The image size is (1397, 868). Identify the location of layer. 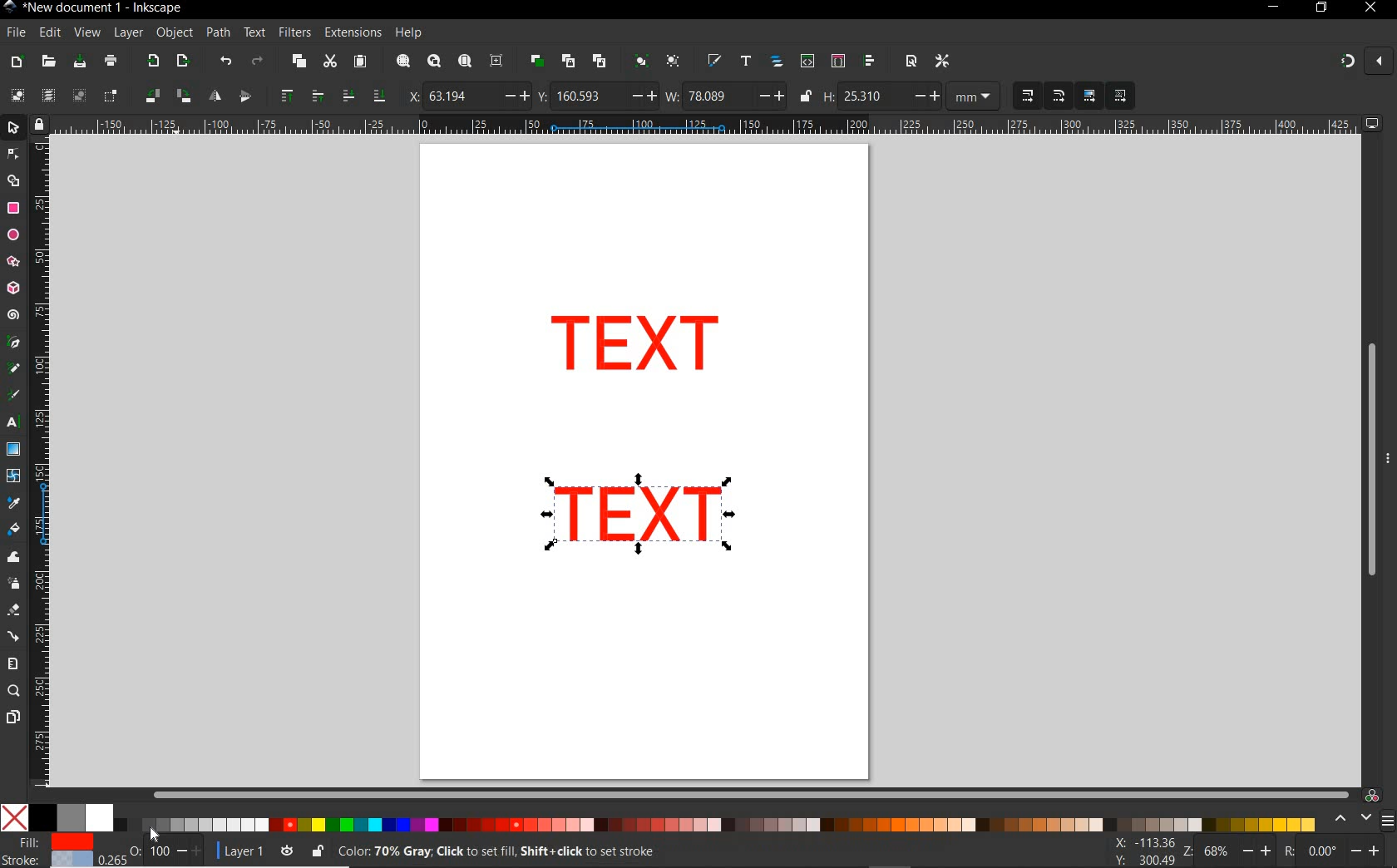
(129, 33).